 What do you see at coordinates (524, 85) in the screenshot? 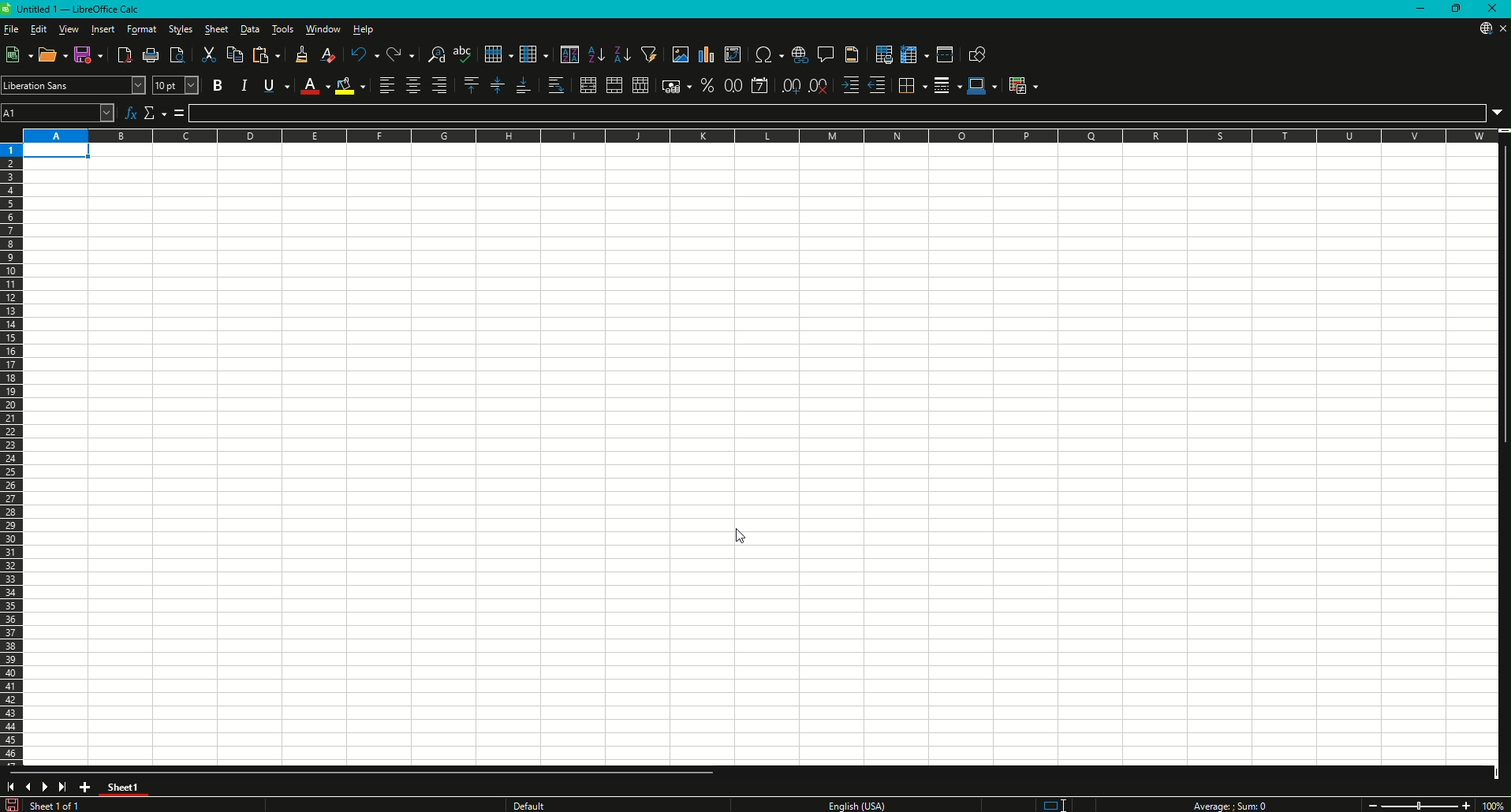
I see `Align Bottom` at bounding box center [524, 85].